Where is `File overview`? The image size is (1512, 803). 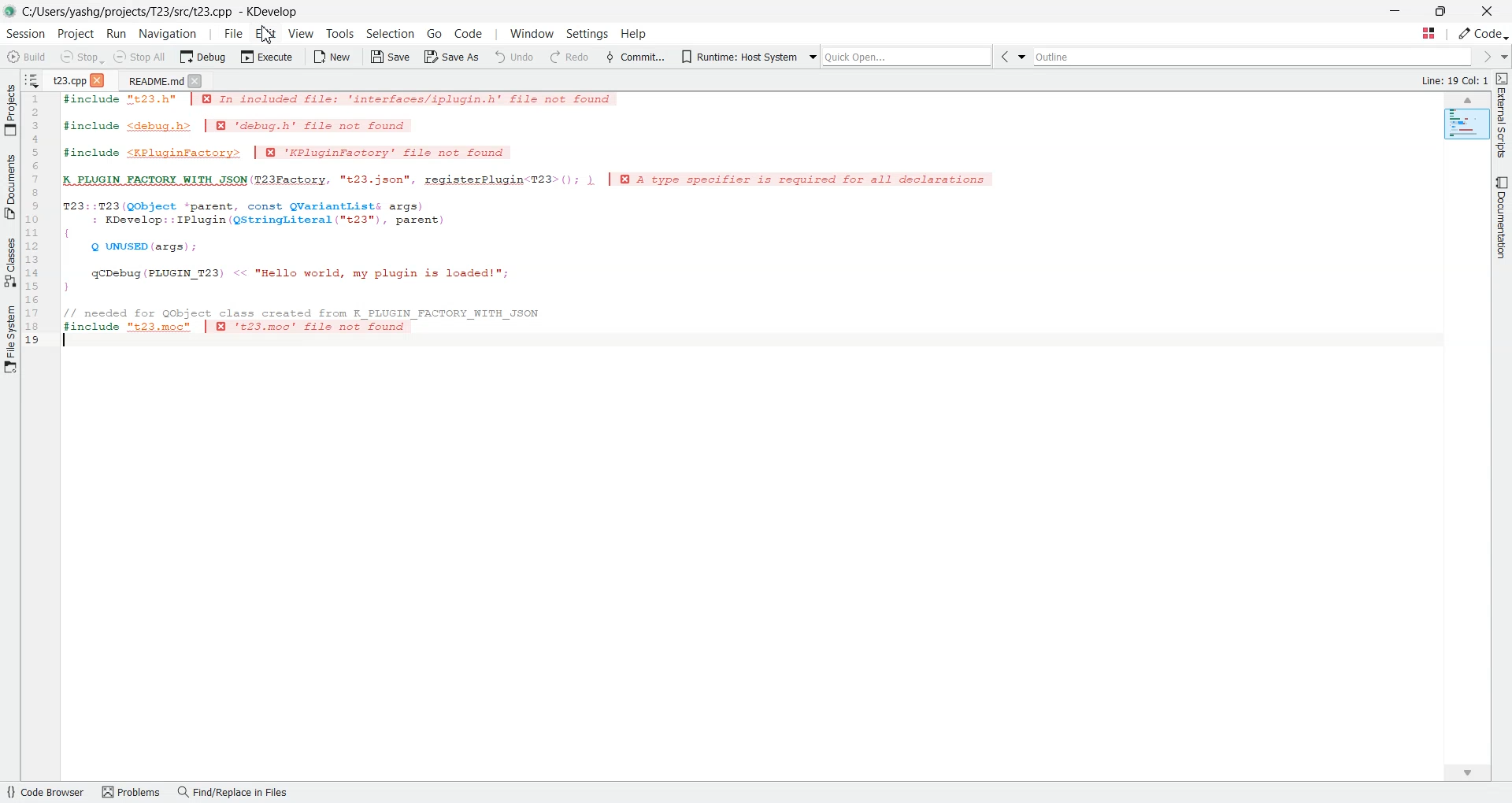 File overview is located at coordinates (1463, 124).